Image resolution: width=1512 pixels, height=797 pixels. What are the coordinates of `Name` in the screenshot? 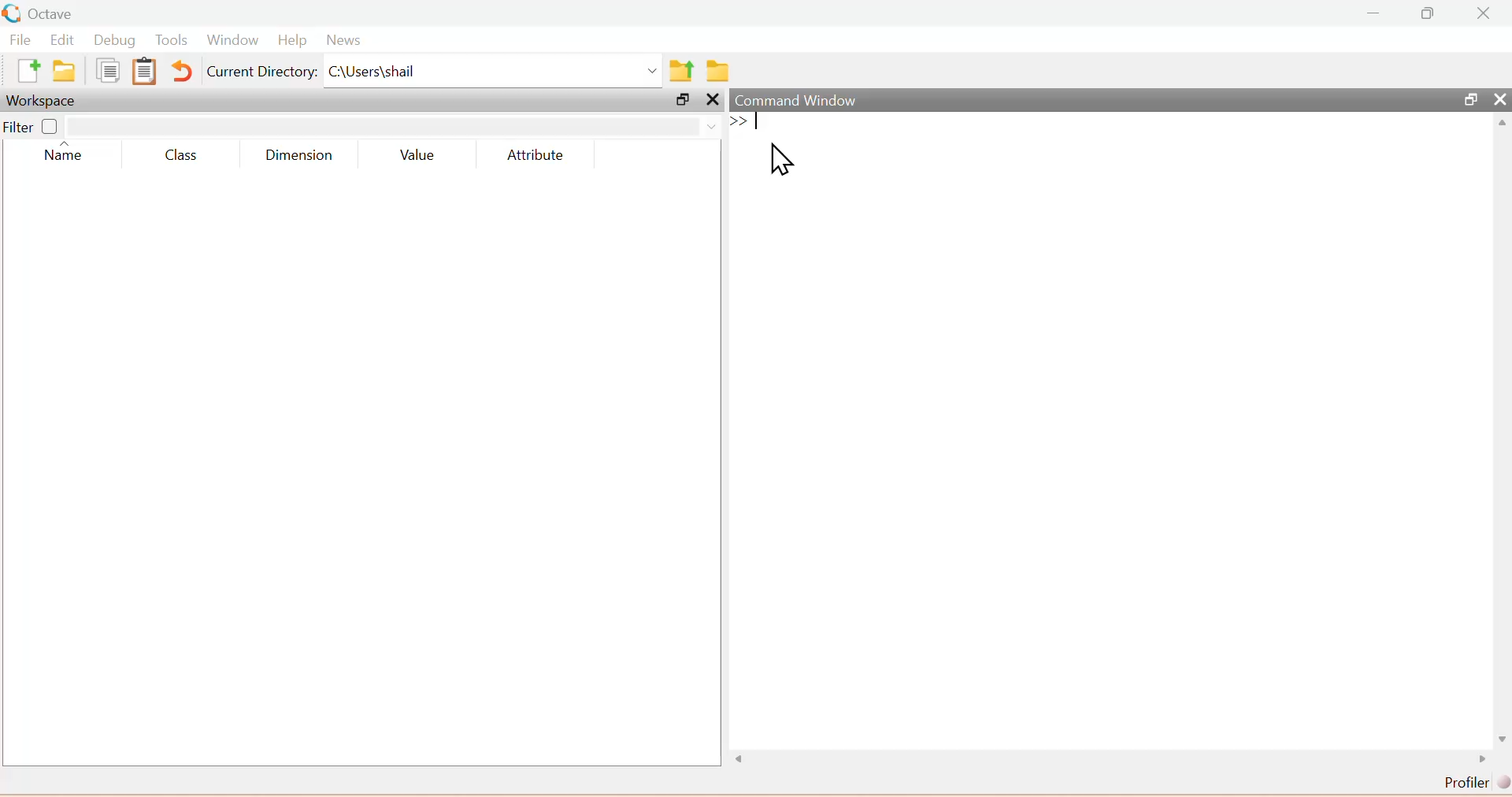 It's located at (65, 154).